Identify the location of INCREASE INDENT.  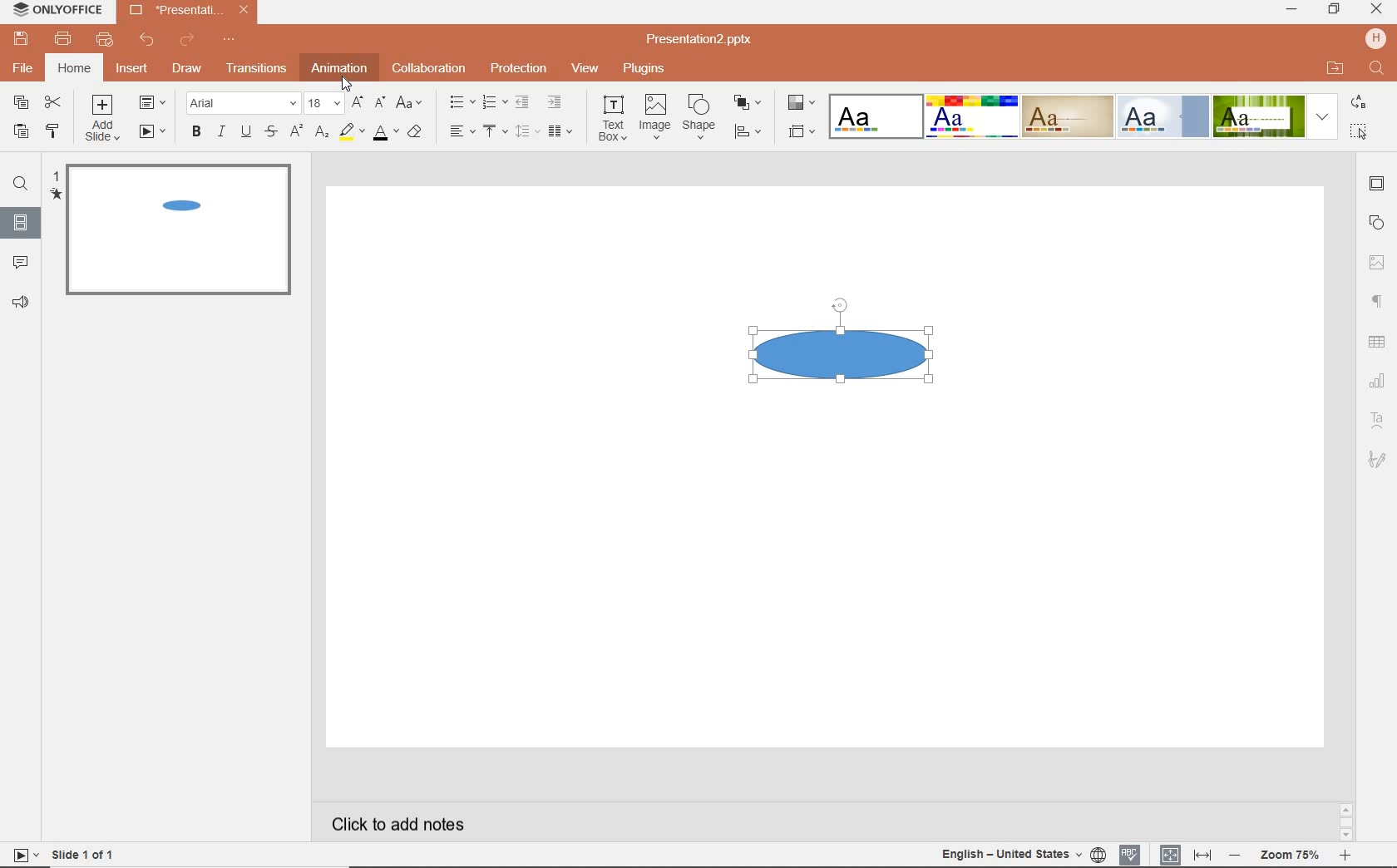
(555, 102).